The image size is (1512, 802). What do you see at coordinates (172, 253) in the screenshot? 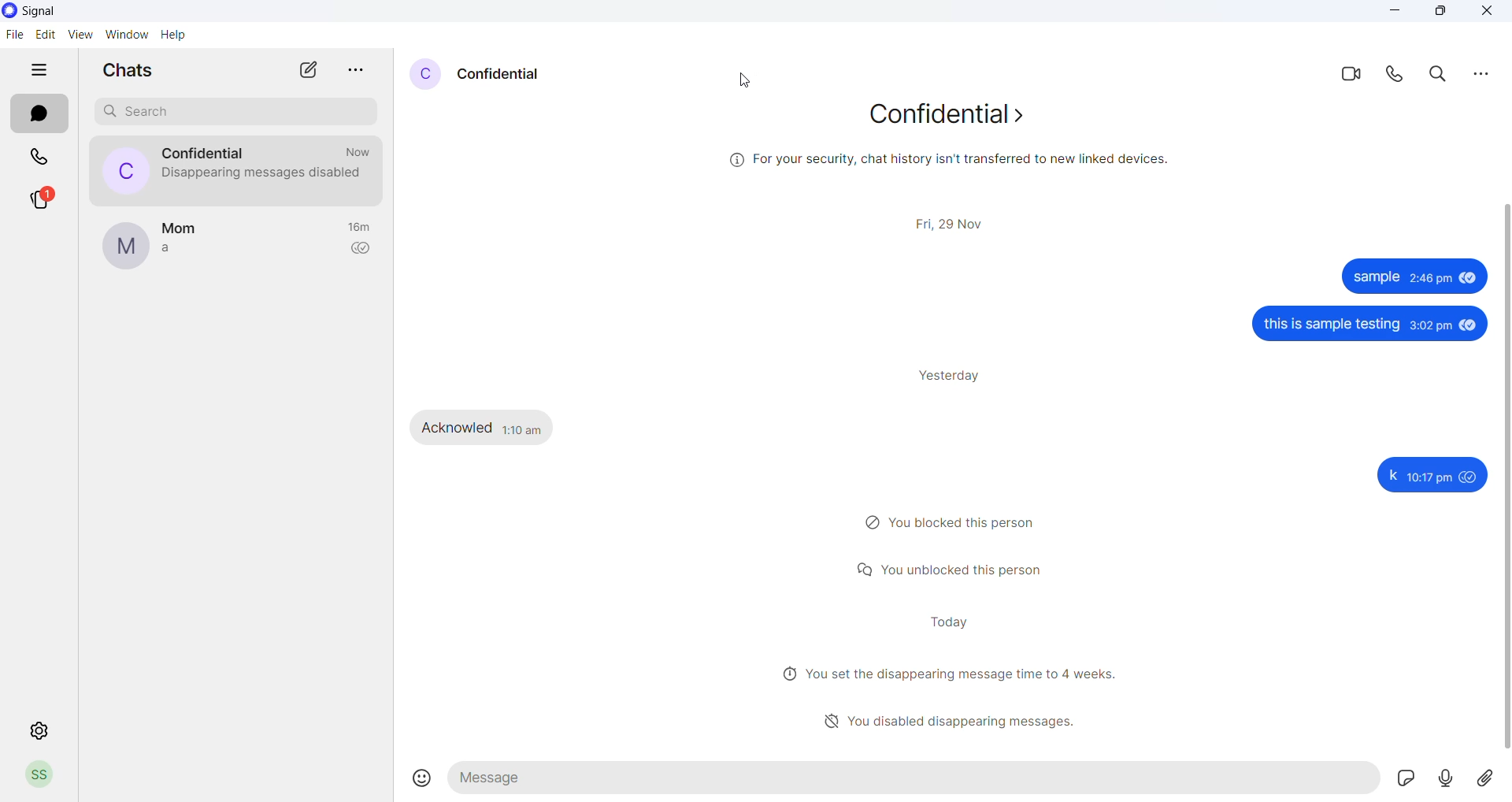
I see `last message` at bounding box center [172, 253].